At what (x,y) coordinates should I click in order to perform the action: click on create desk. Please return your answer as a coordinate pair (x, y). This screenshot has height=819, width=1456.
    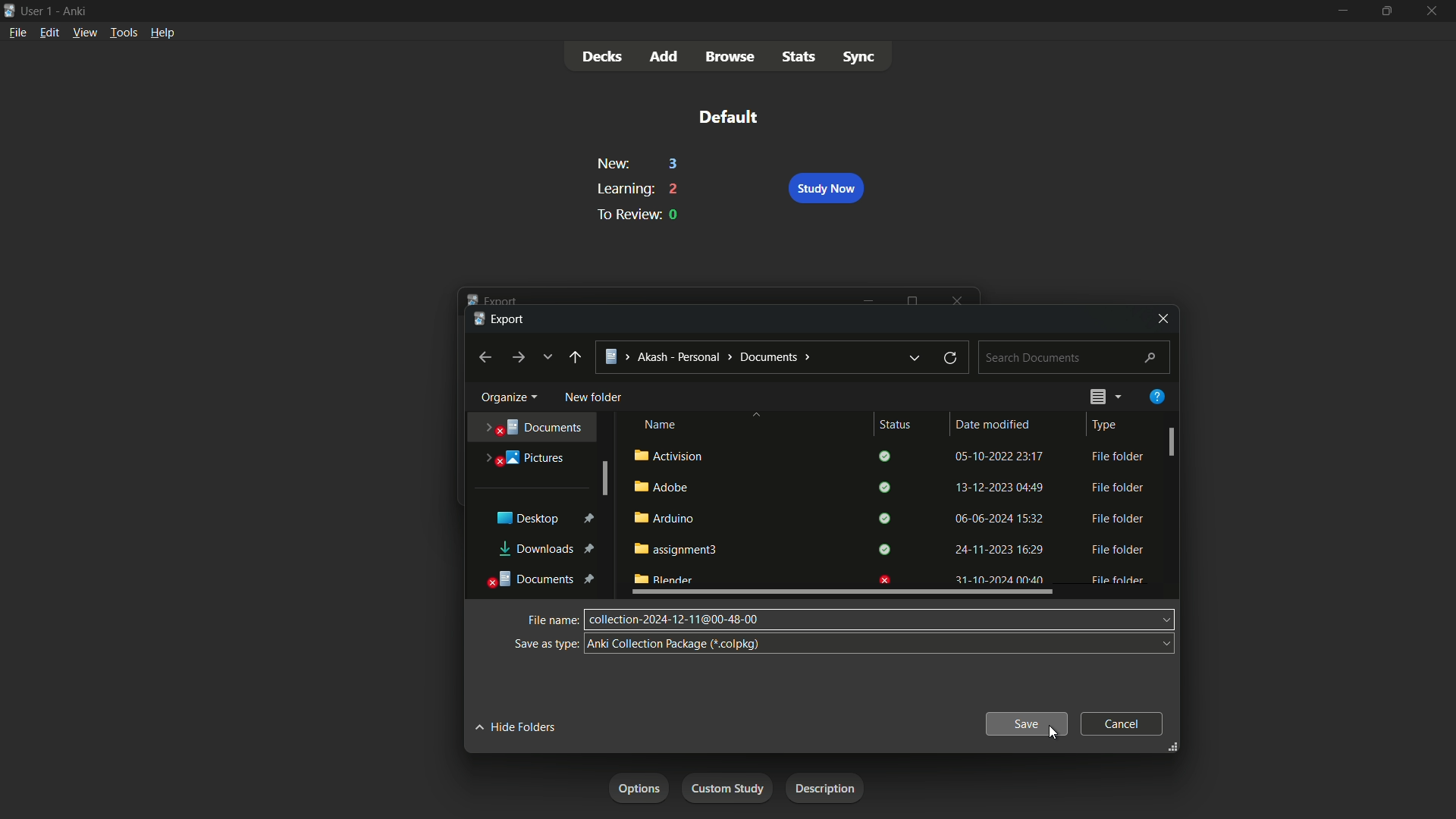
    Looking at the image, I should click on (733, 788).